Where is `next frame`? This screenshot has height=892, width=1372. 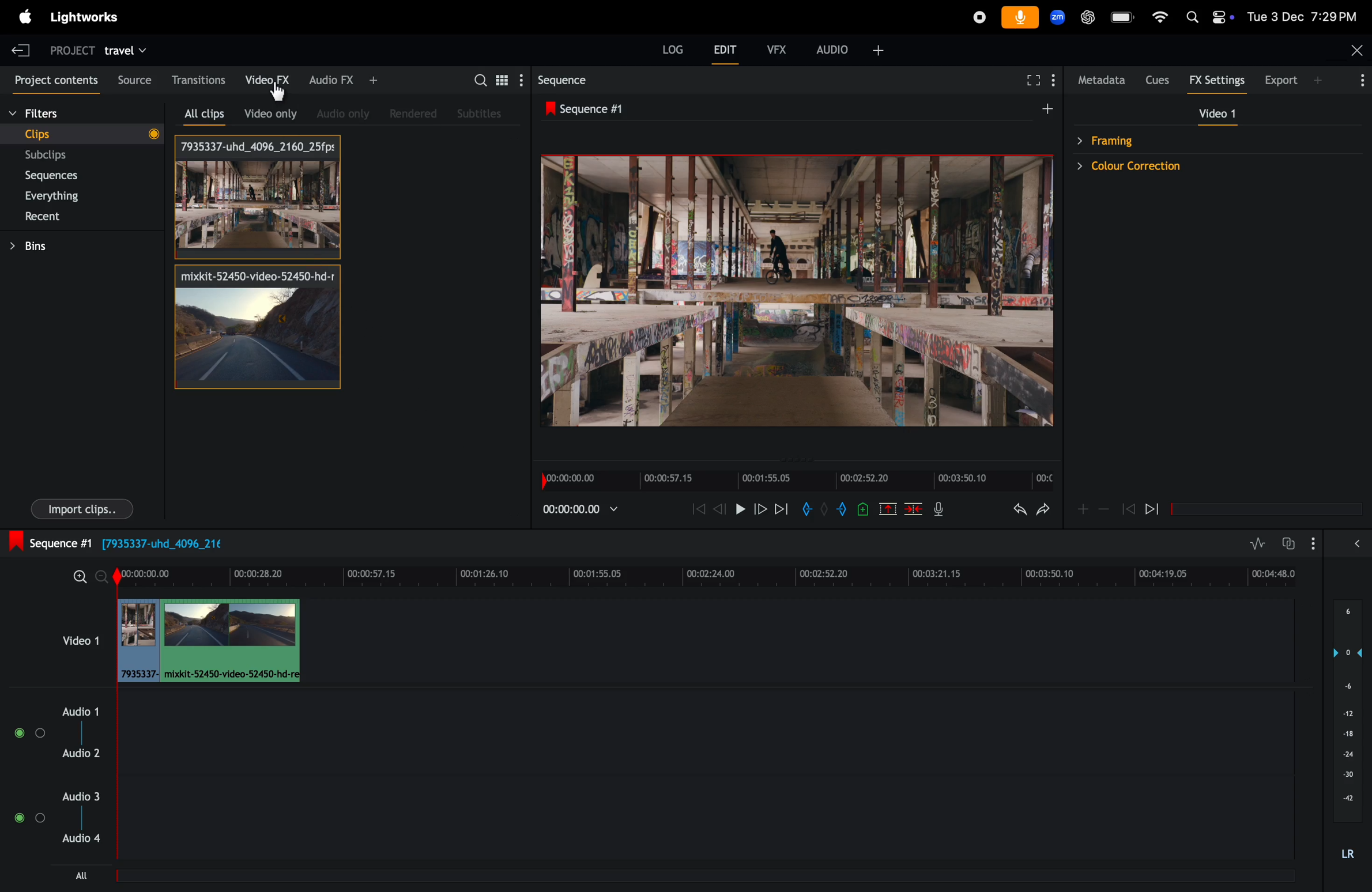
next frame is located at coordinates (781, 508).